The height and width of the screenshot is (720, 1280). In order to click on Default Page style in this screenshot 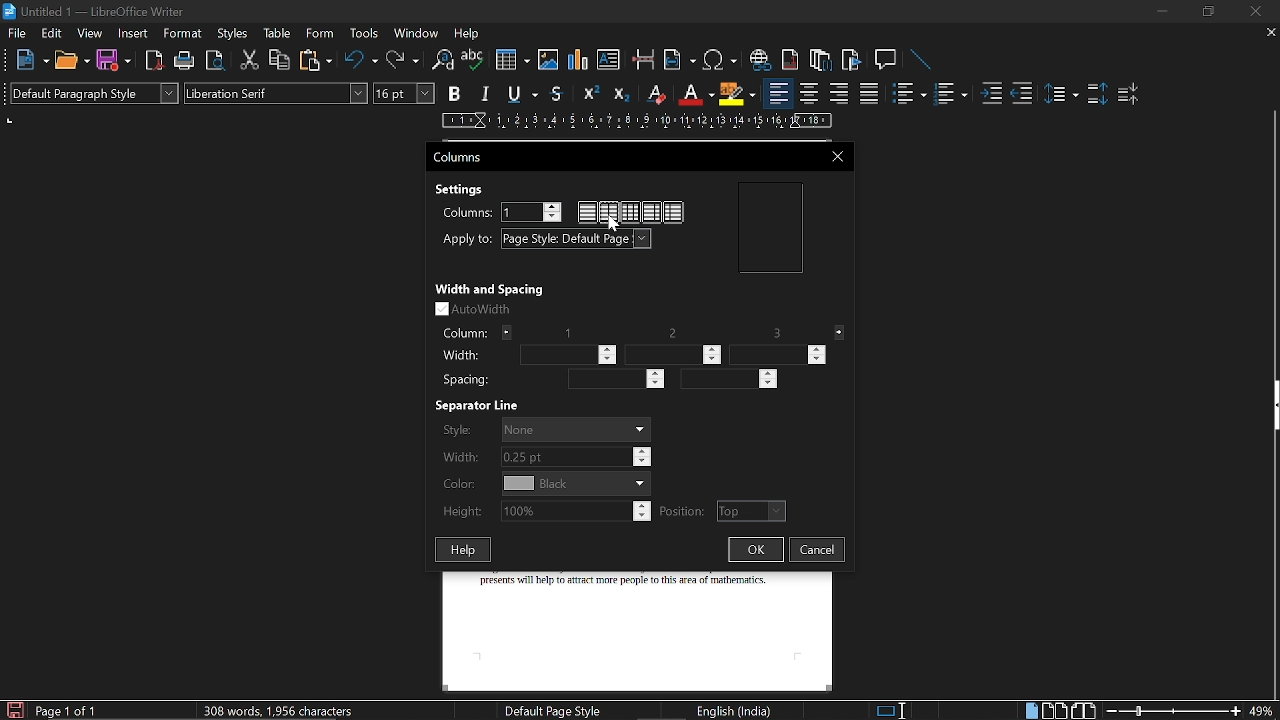, I will do `click(555, 710)`.